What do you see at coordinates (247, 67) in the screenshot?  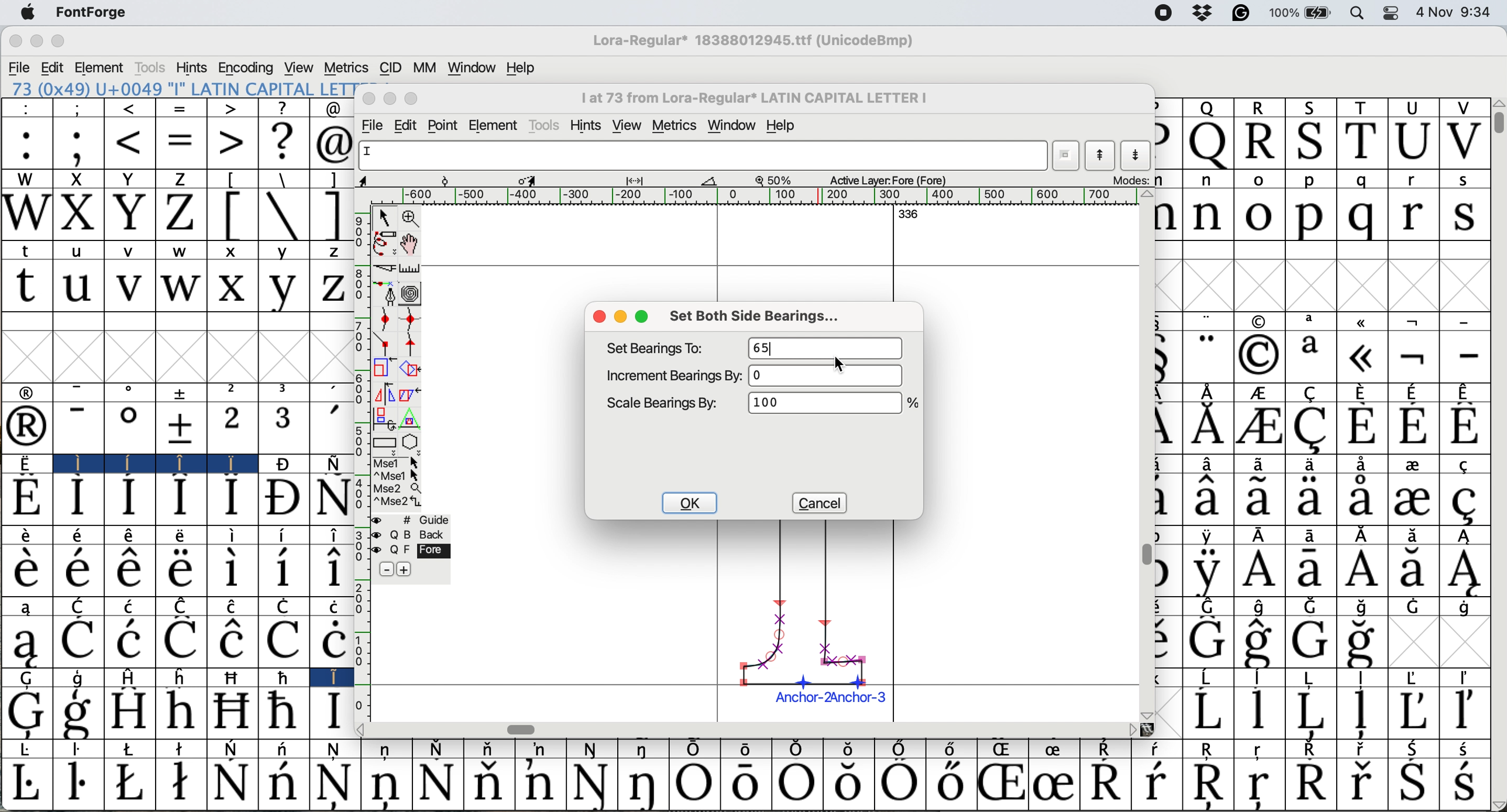 I see `encoding` at bounding box center [247, 67].